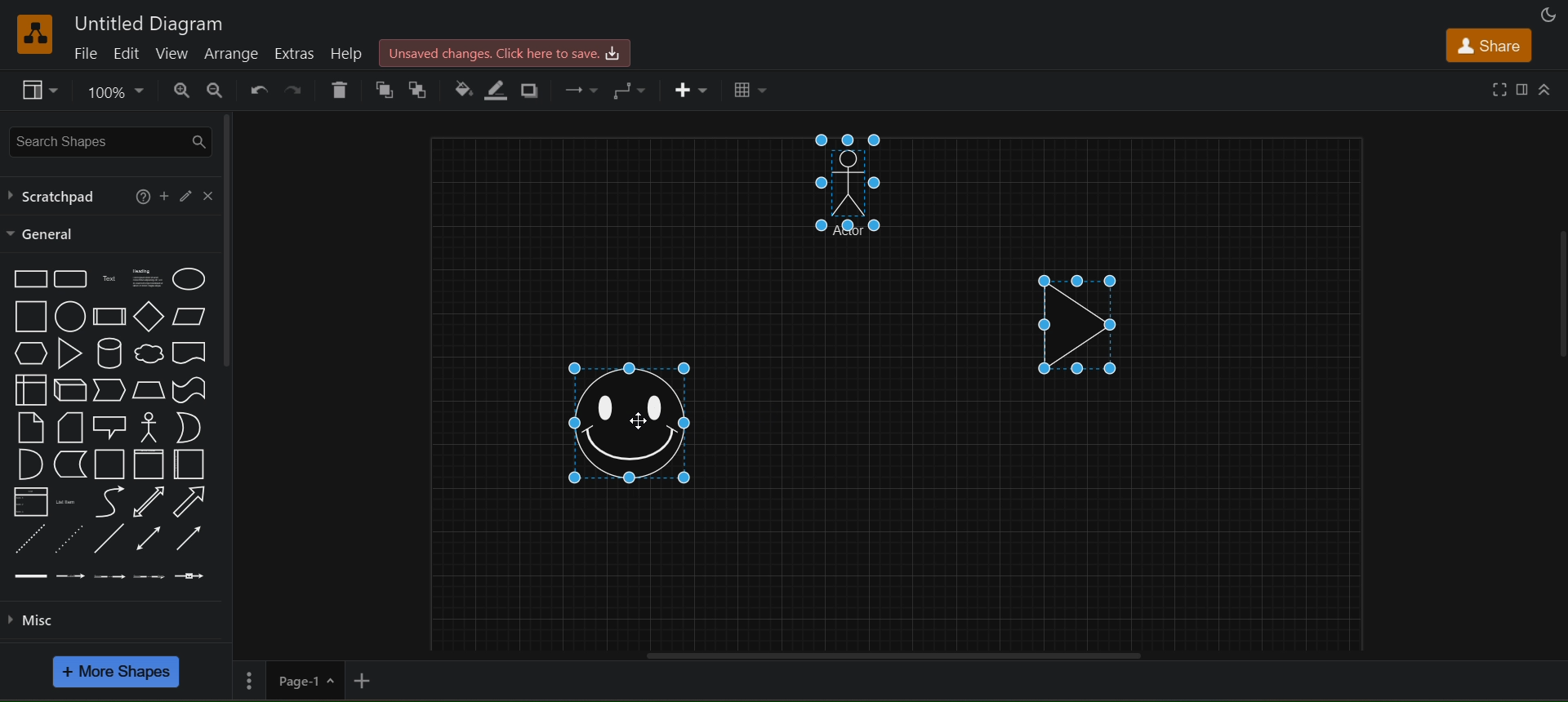  Describe the element at coordinates (151, 539) in the screenshot. I see `bidirectional connector` at that location.